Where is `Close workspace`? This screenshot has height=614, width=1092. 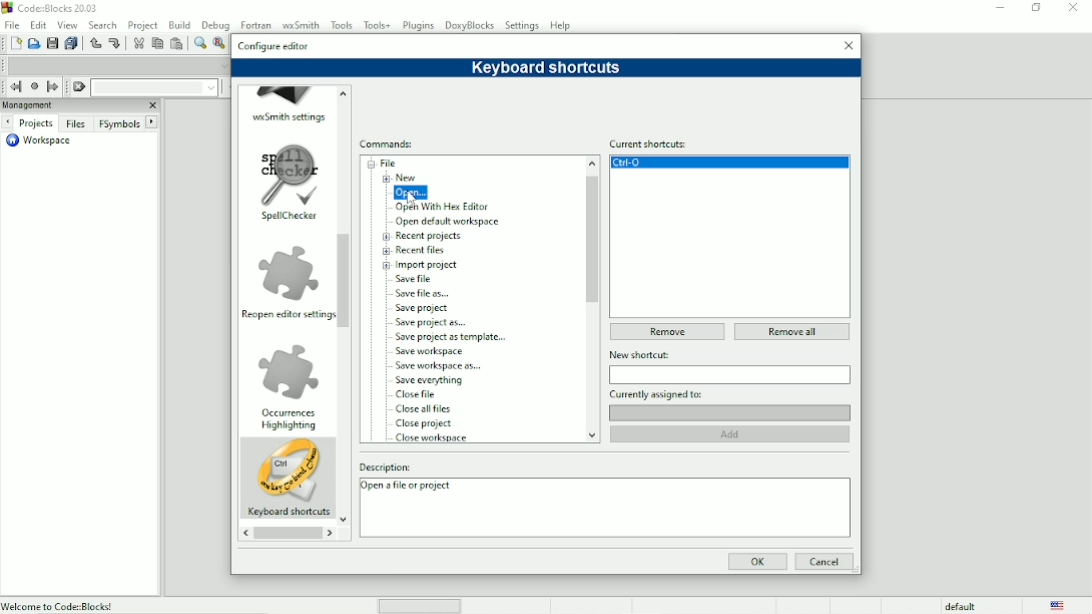
Close workspace is located at coordinates (435, 438).